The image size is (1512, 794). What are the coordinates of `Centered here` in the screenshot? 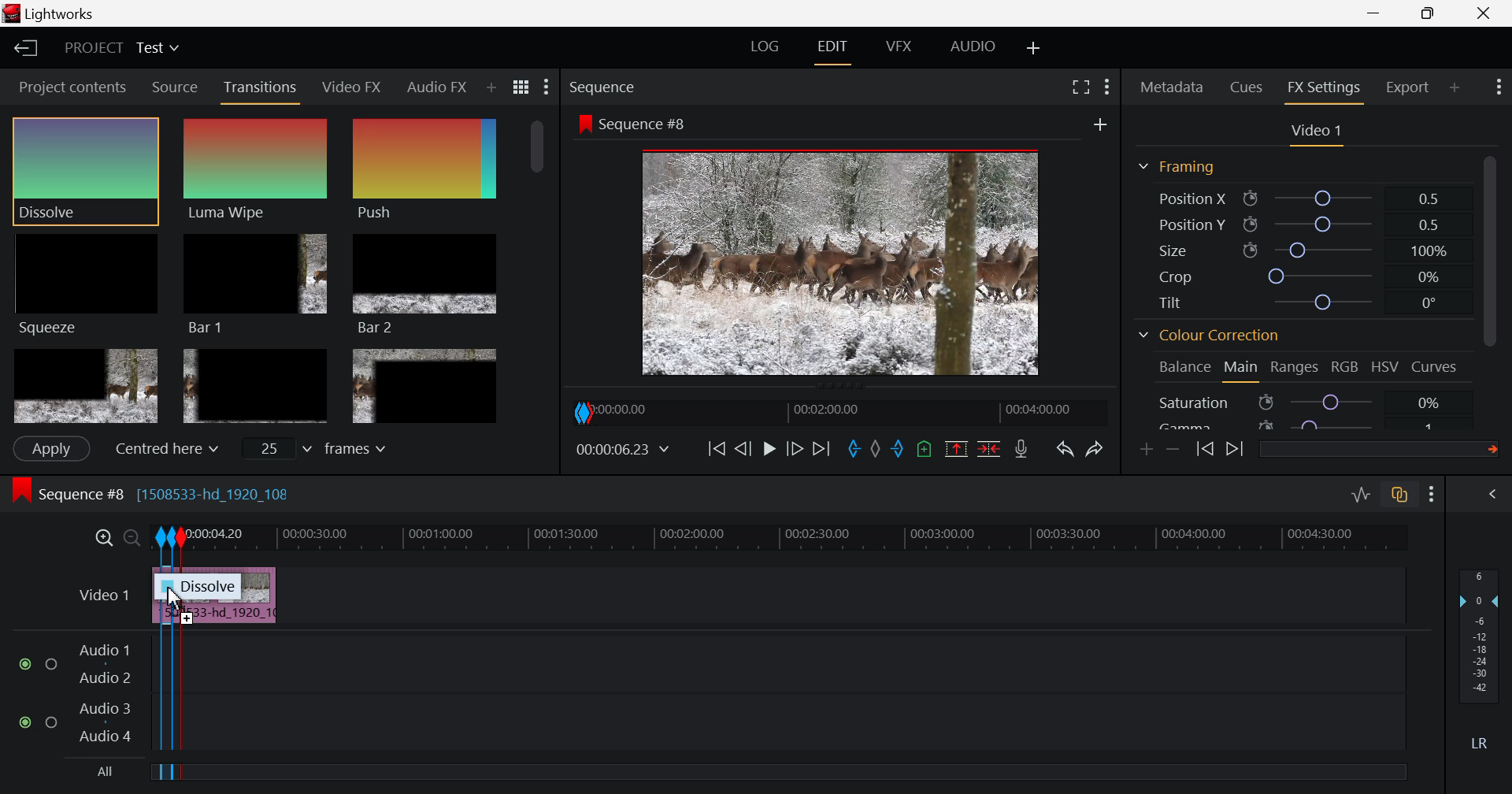 It's located at (162, 449).